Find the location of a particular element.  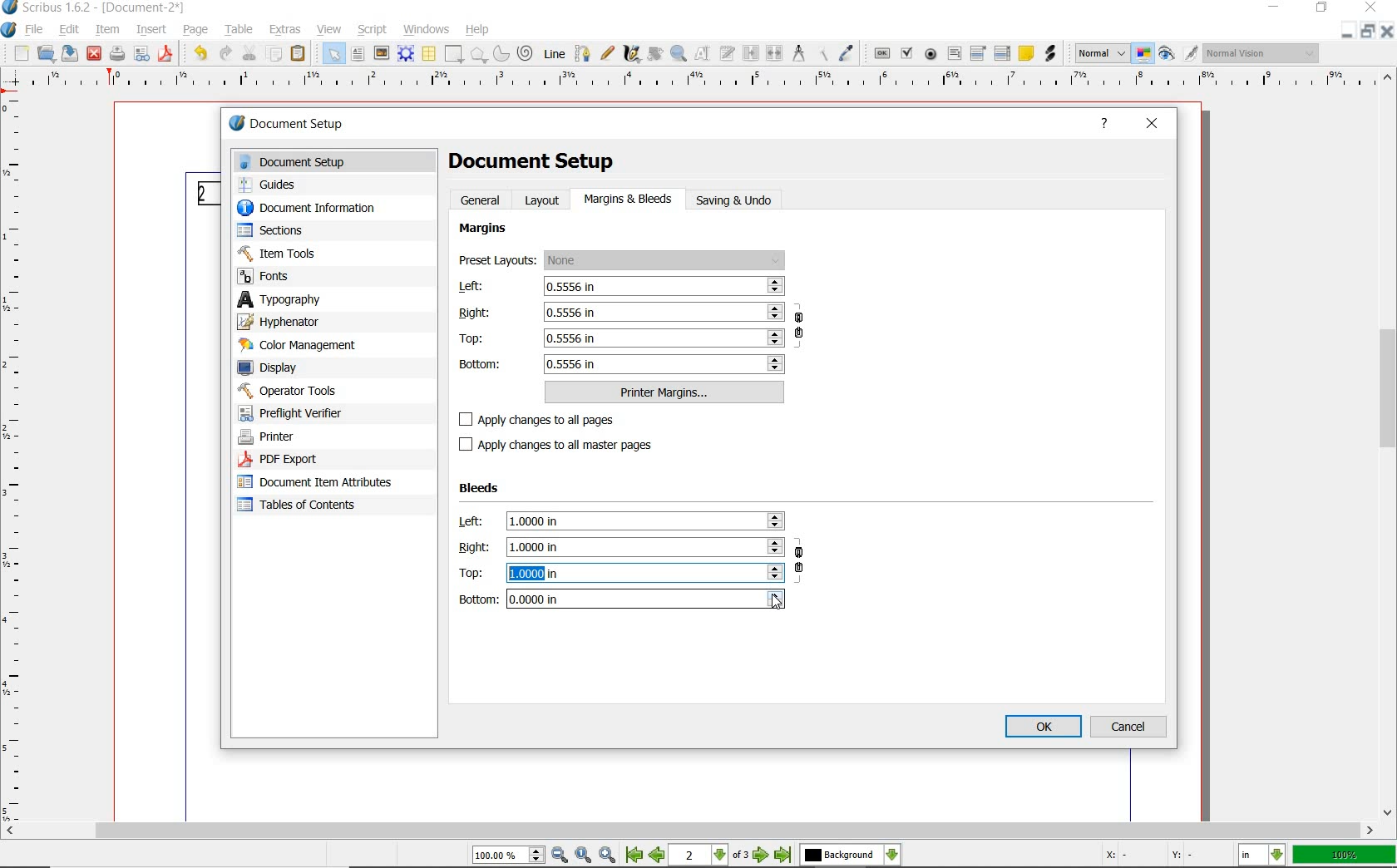

help is located at coordinates (1108, 124).